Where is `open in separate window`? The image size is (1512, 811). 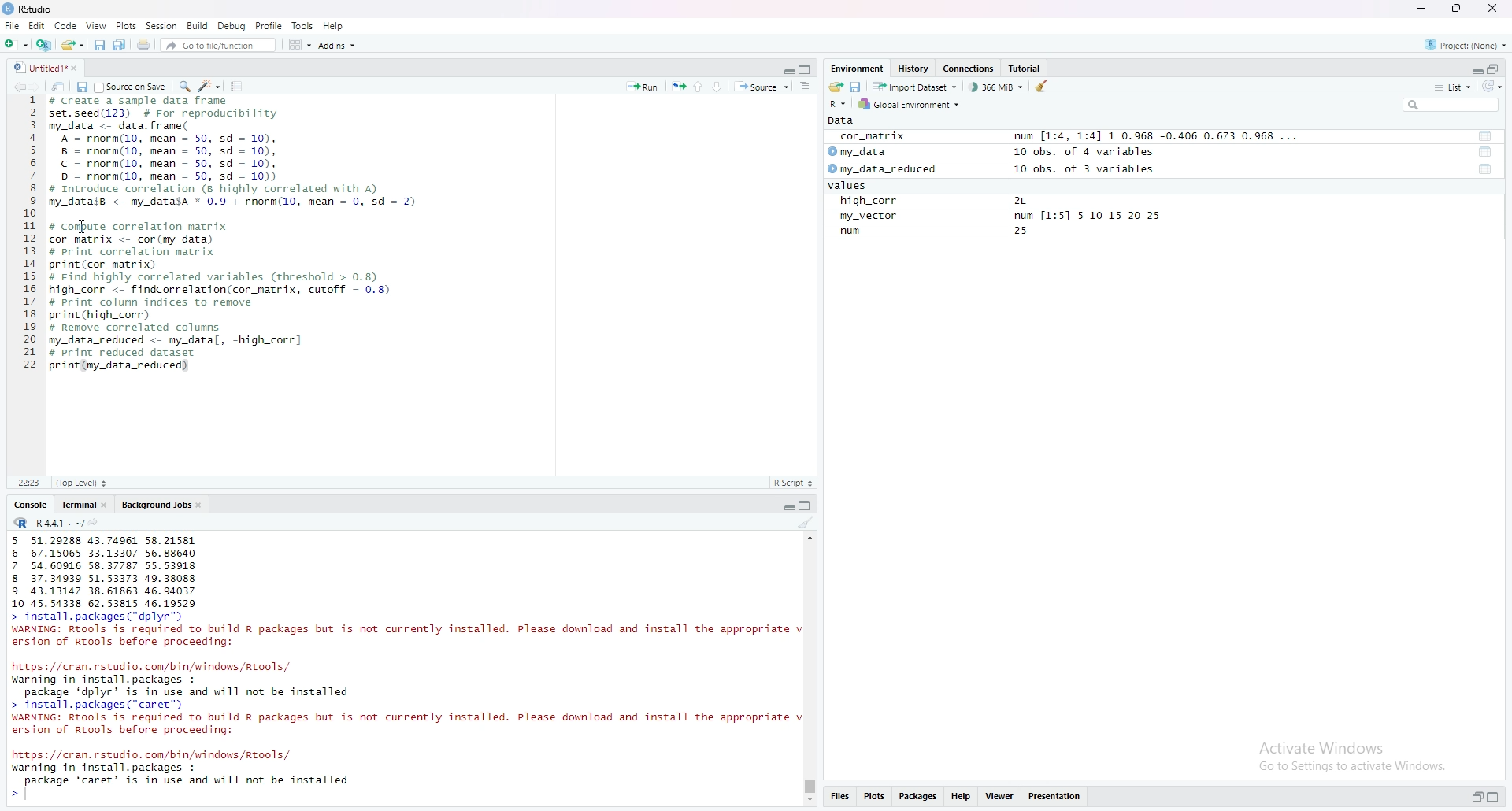
open in separate window is located at coordinates (1495, 69).